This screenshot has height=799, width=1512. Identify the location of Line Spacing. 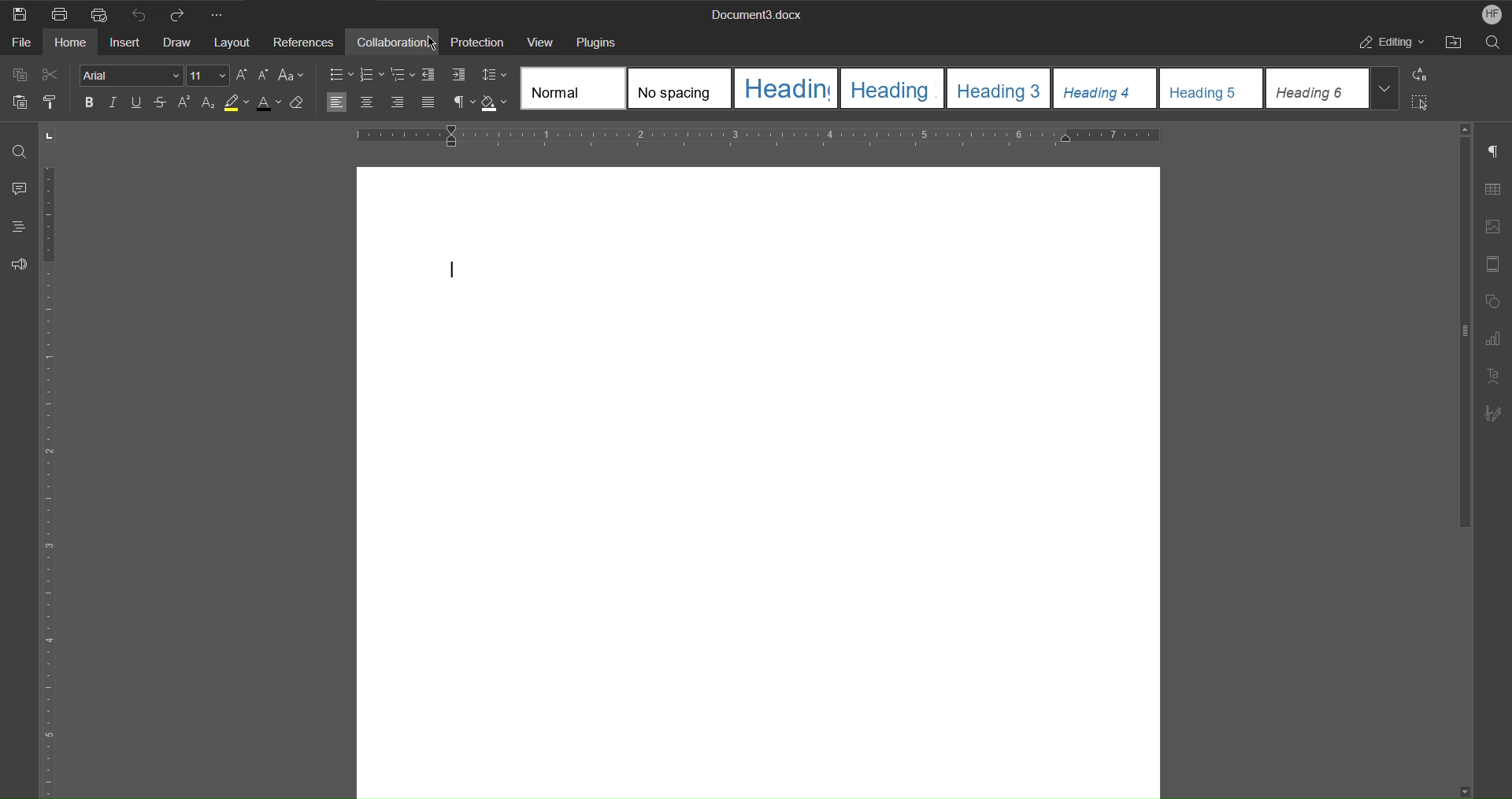
(495, 75).